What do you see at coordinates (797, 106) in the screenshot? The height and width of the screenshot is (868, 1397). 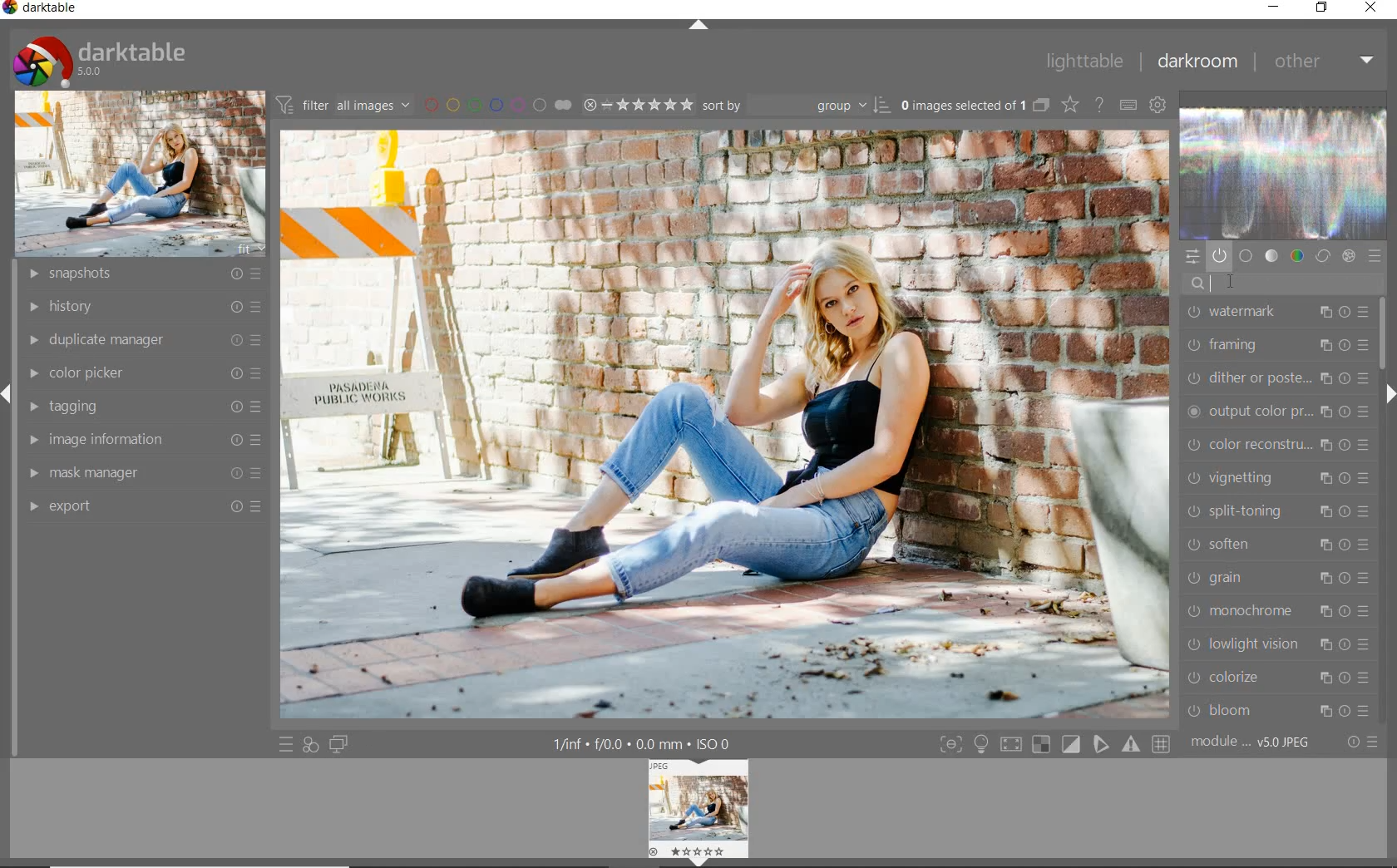 I see `Sort` at bounding box center [797, 106].